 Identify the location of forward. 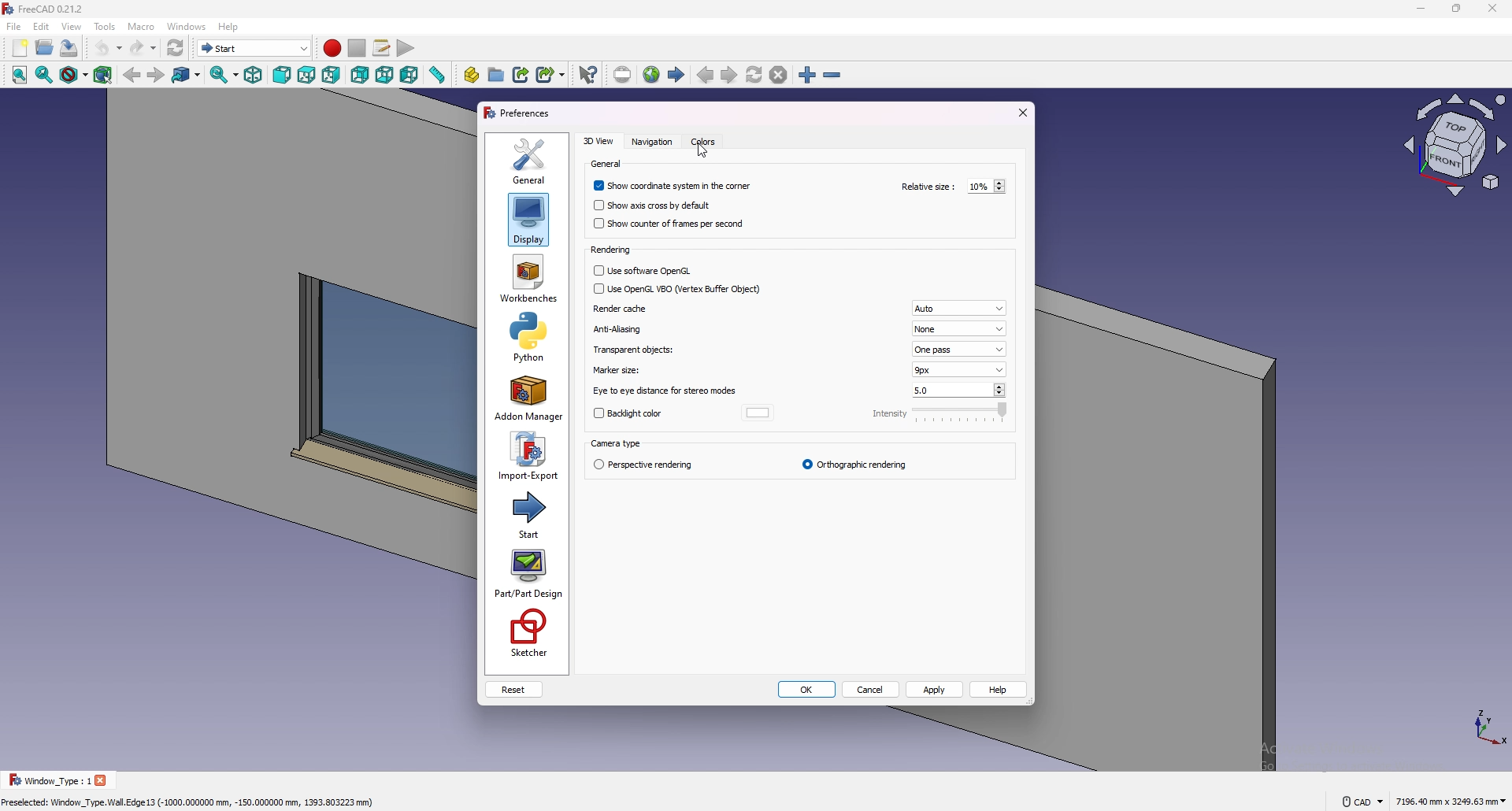
(155, 76).